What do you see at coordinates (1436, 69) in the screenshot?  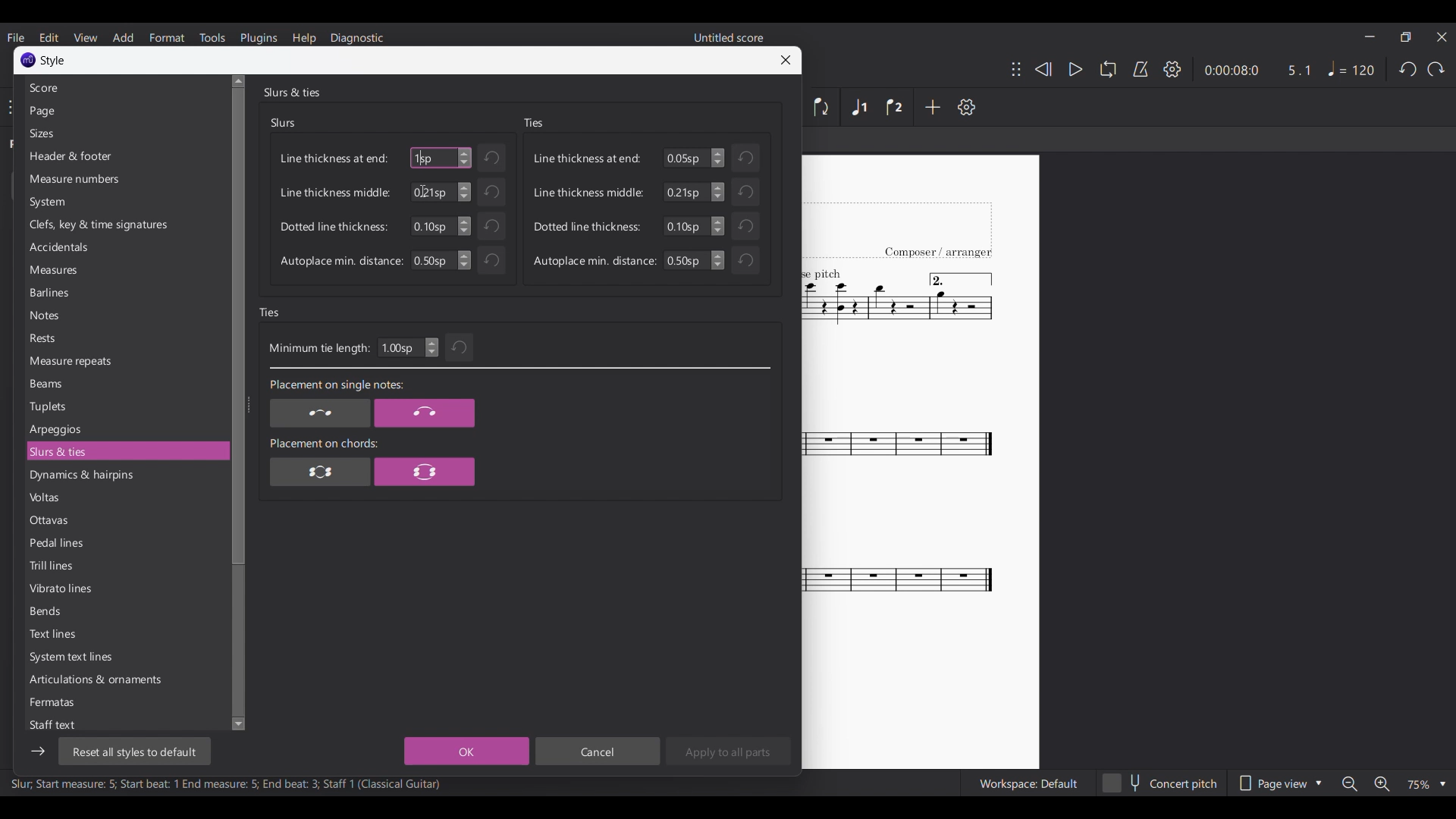 I see `Redo` at bounding box center [1436, 69].